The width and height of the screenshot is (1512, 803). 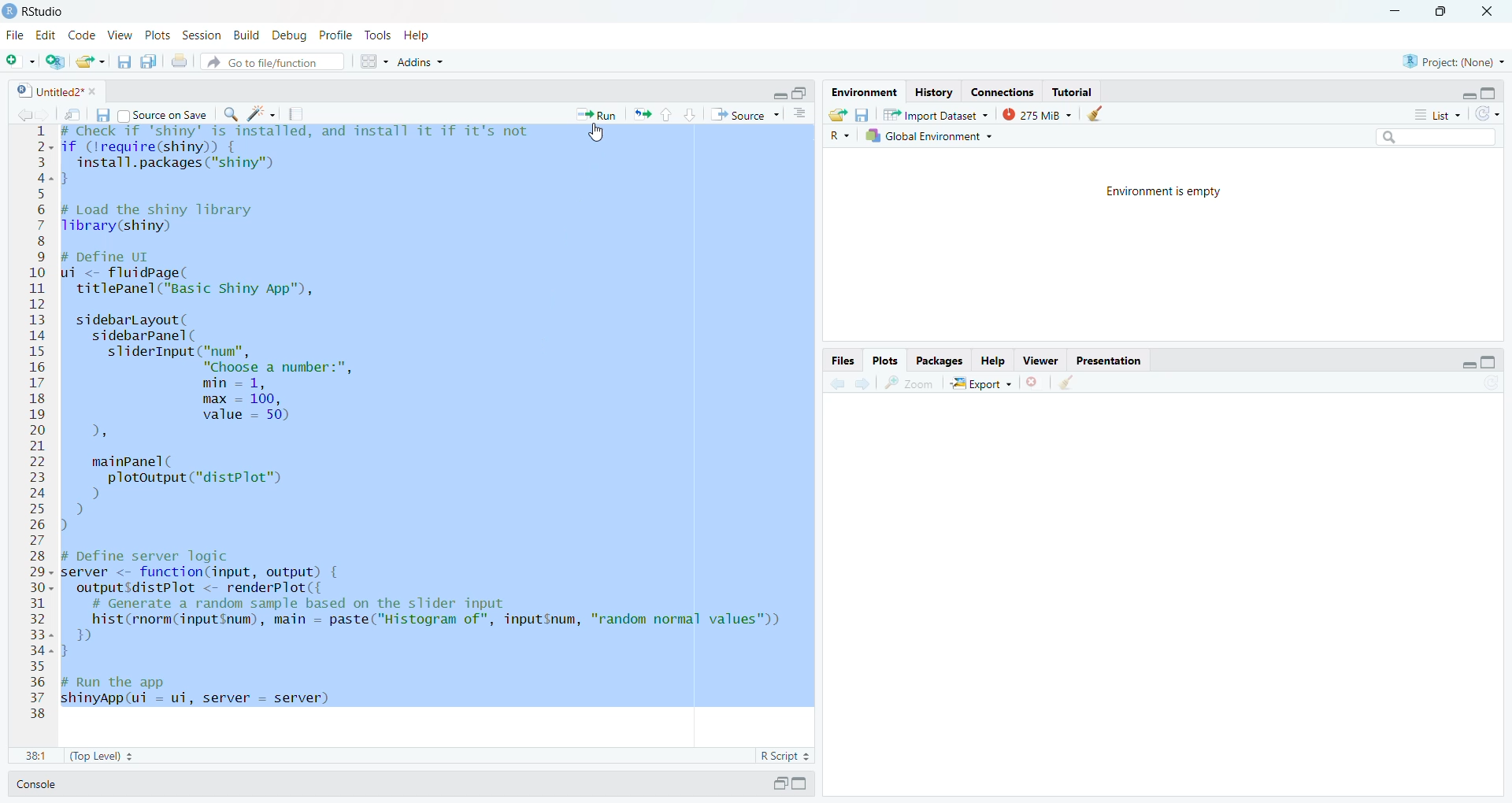 I want to click on Export, so click(x=980, y=383).